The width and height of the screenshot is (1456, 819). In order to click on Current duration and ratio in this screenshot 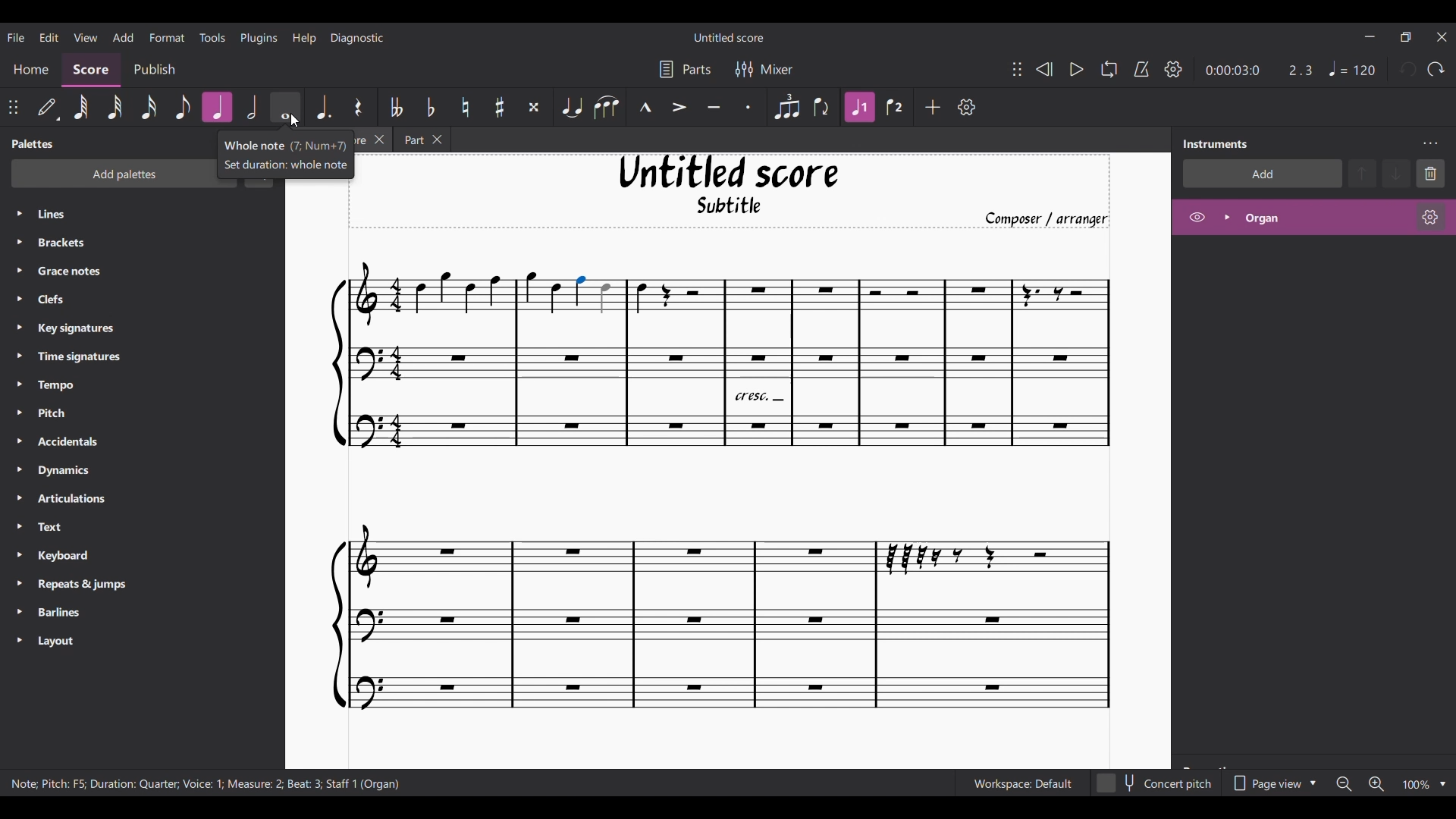, I will do `click(1259, 71)`.